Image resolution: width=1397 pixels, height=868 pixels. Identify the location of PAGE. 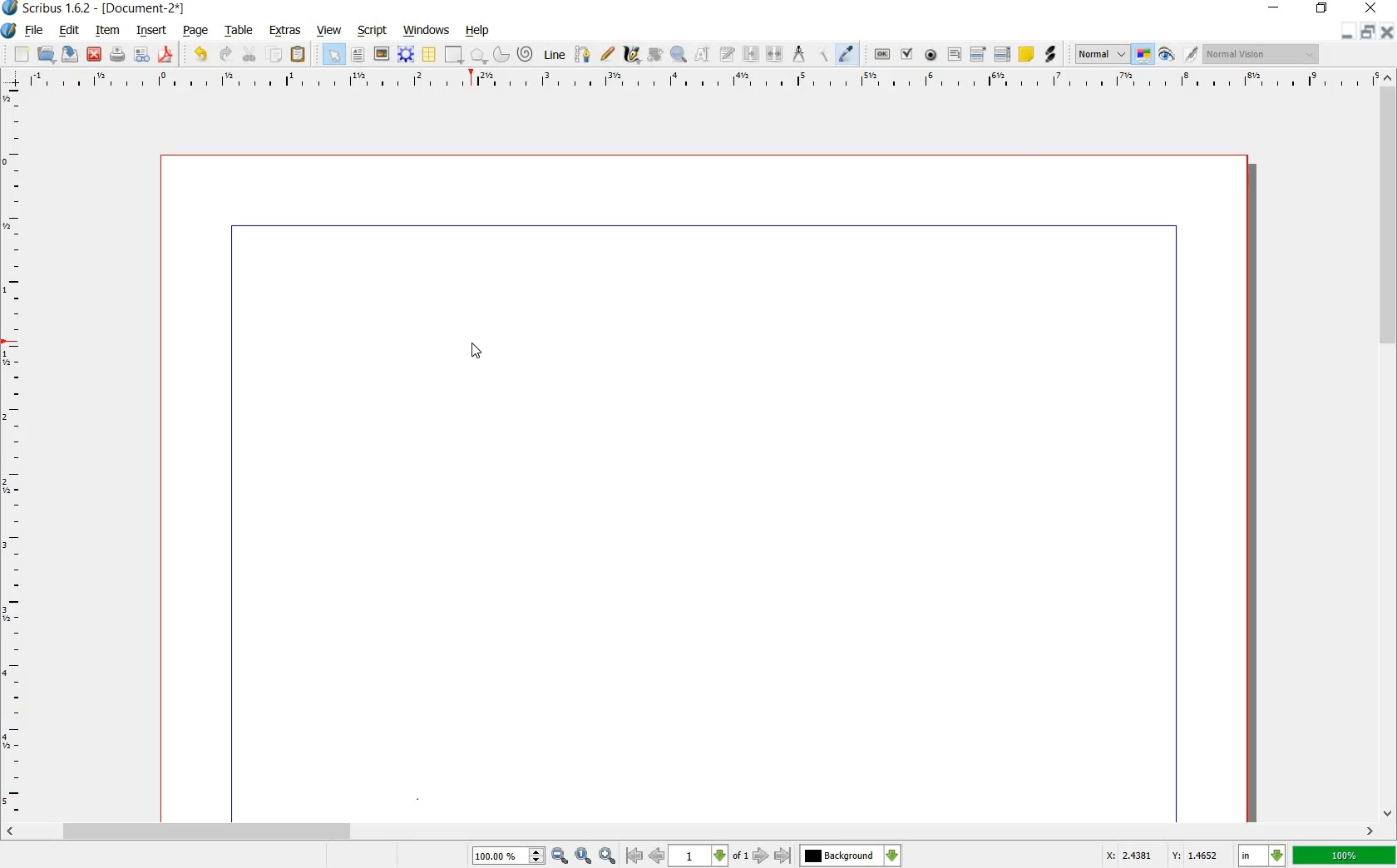
(195, 32).